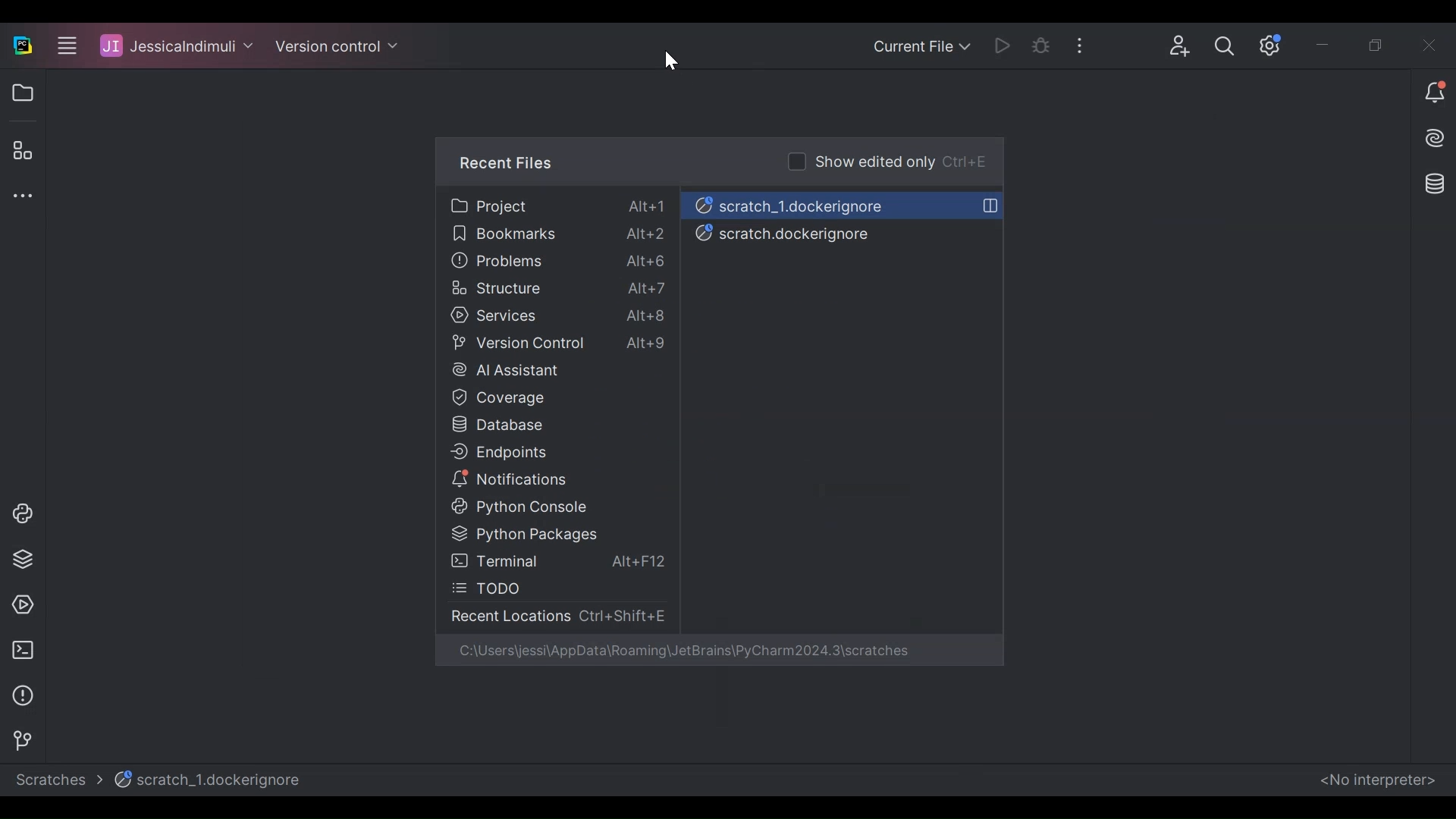 This screenshot has height=819, width=1456. Describe the element at coordinates (554, 615) in the screenshot. I see `Recent location` at that location.